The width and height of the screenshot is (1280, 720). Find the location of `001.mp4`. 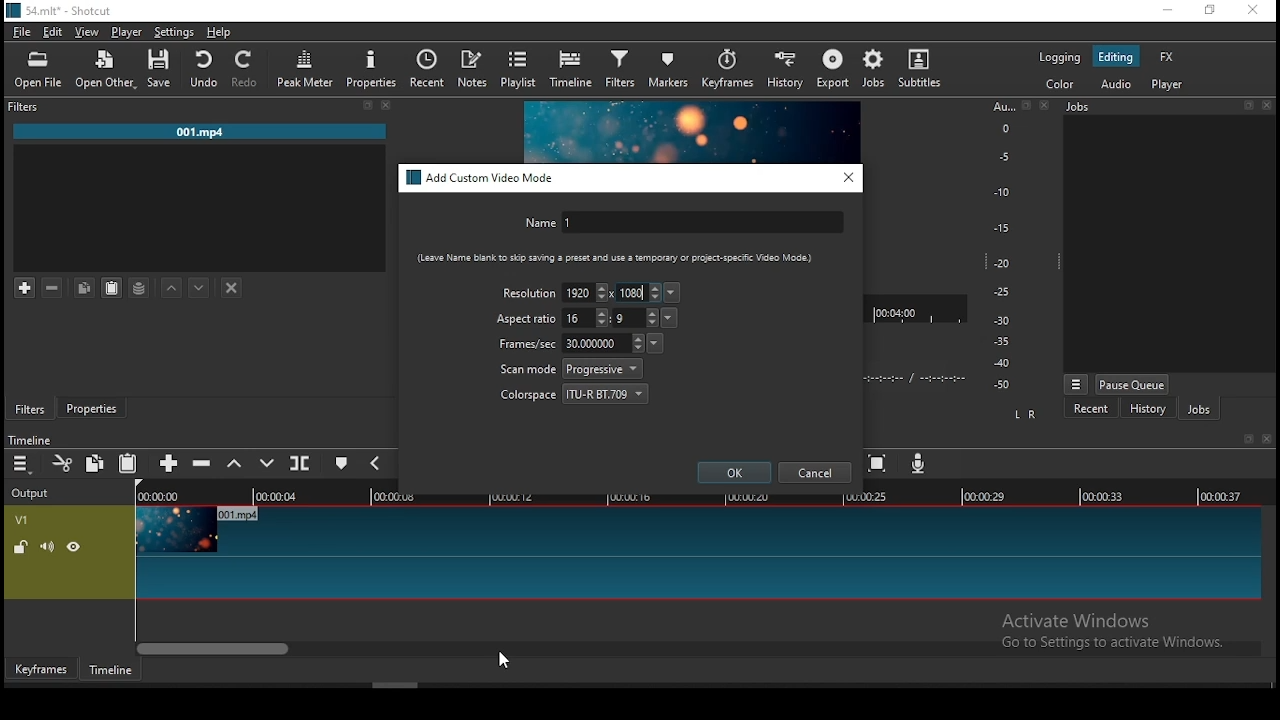

001.mp4 is located at coordinates (200, 133).